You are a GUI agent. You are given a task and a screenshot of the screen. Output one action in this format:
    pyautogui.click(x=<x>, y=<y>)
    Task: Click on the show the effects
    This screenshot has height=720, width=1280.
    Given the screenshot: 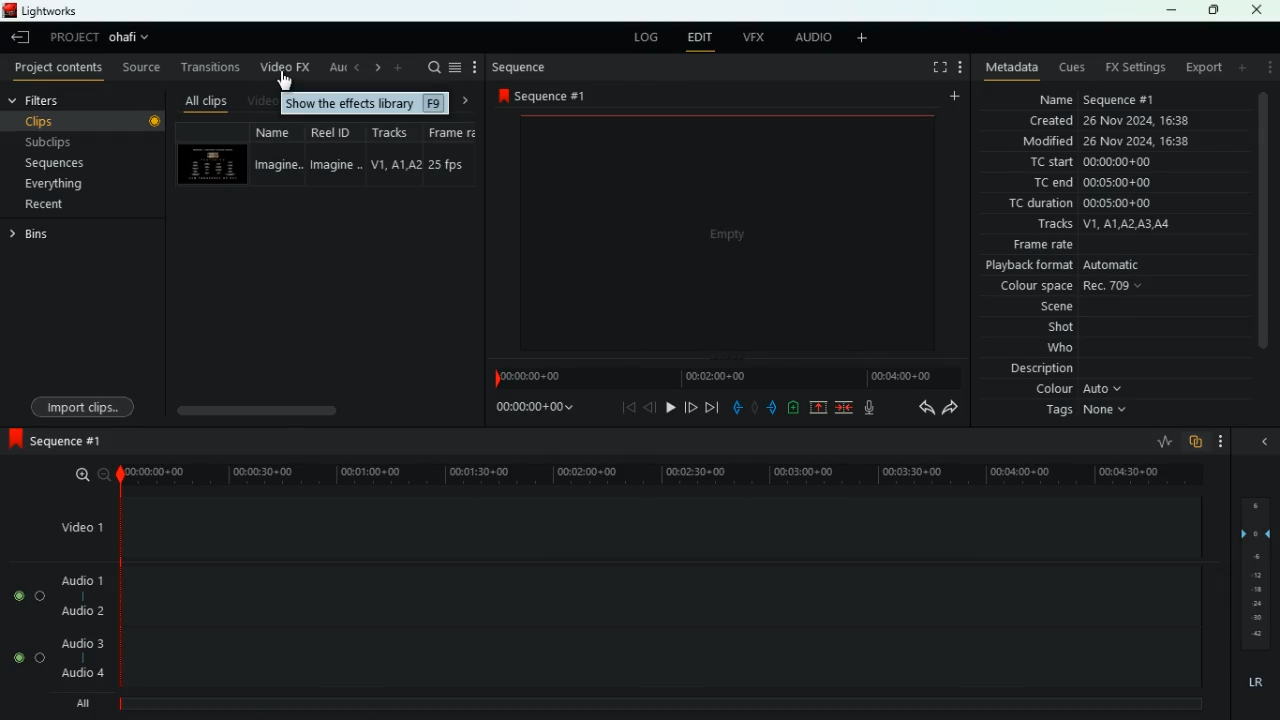 What is the action you would take?
    pyautogui.click(x=365, y=103)
    